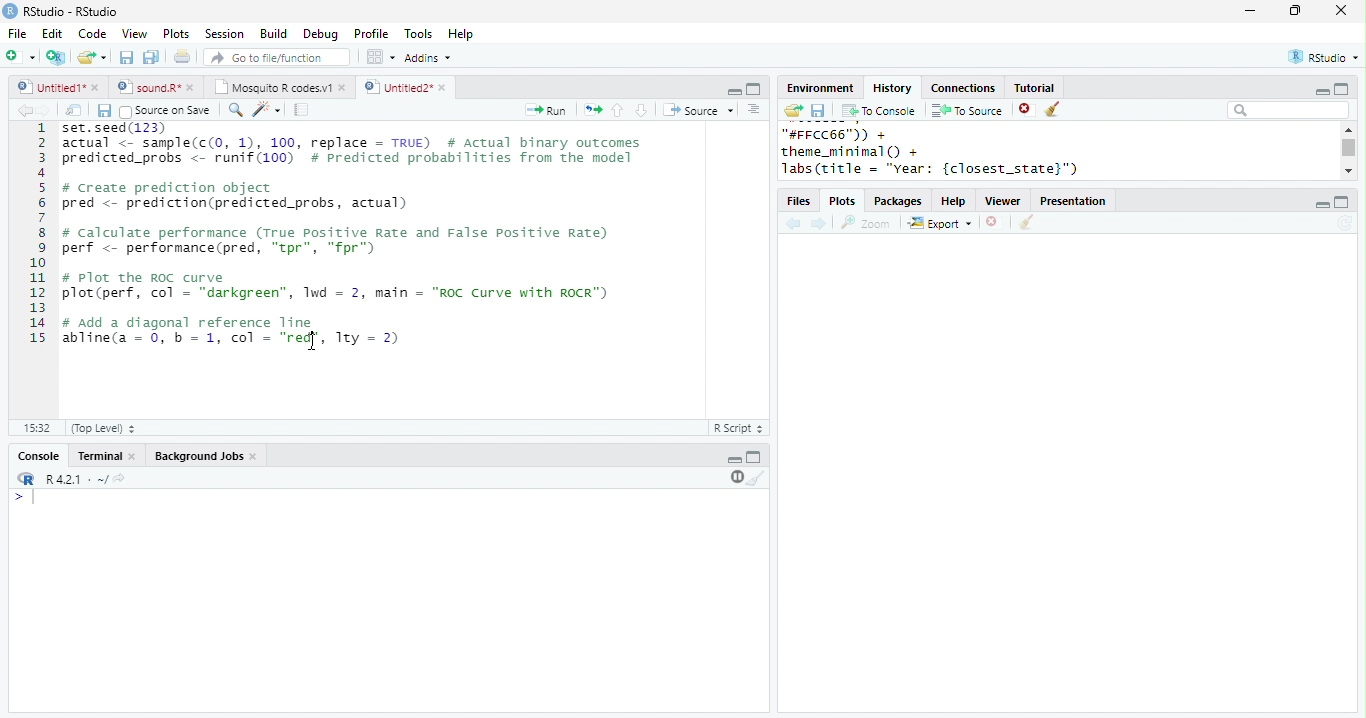  I want to click on pause, so click(735, 477).